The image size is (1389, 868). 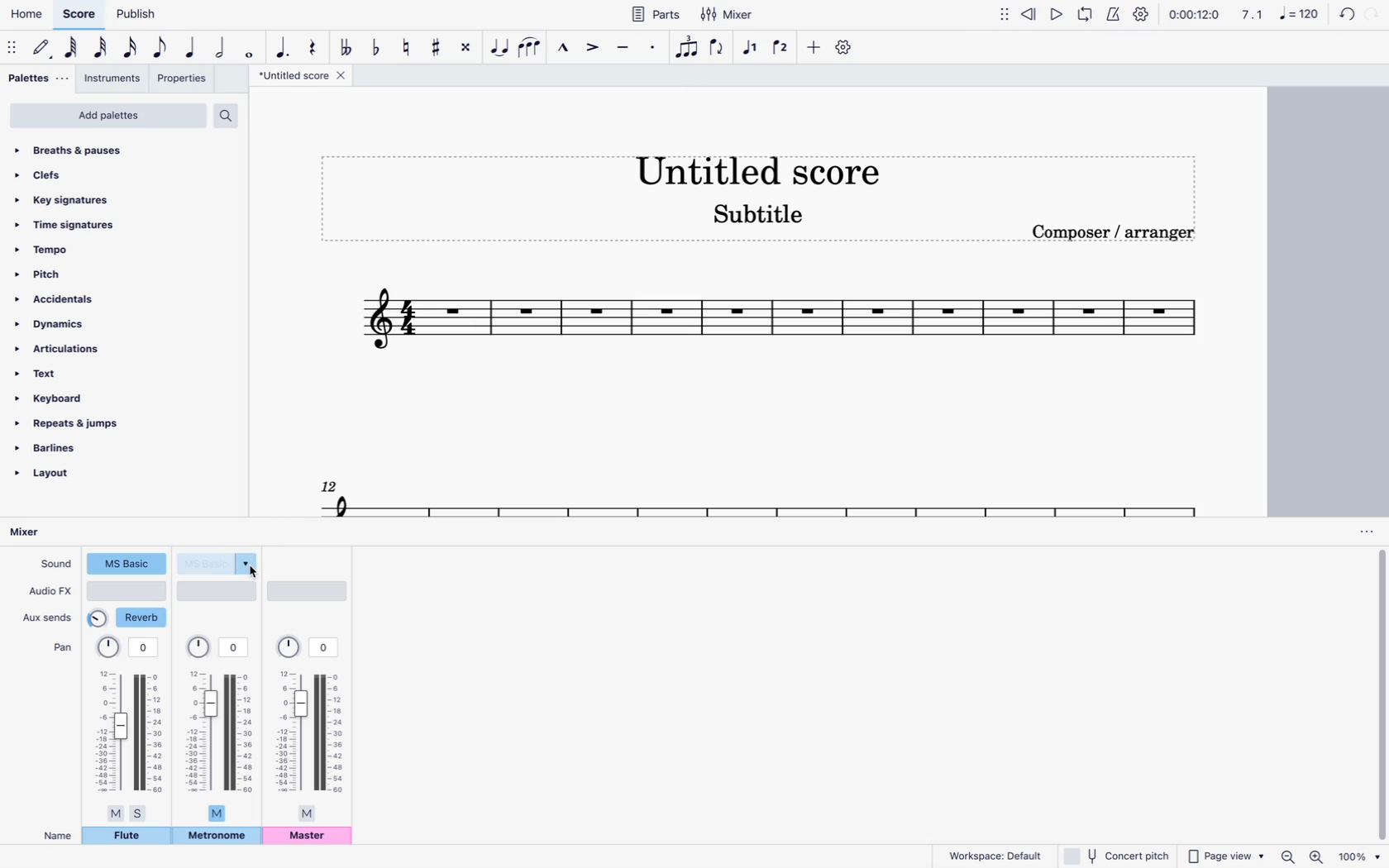 What do you see at coordinates (107, 116) in the screenshot?
I see `add palettes` at bounding box center [107, 116].